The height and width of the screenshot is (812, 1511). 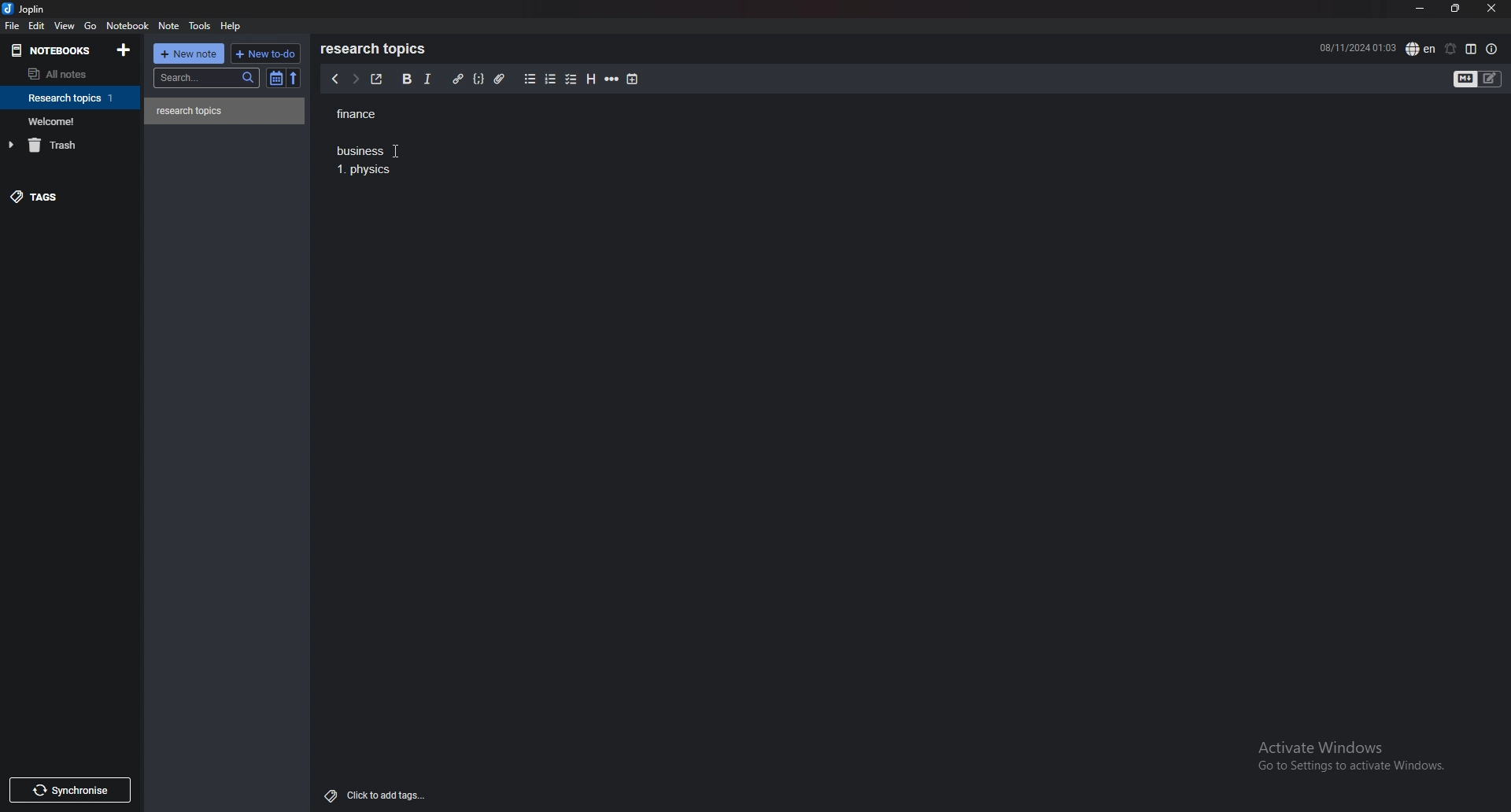 I want to click on horizontal rule, so click(x=613, y=79).